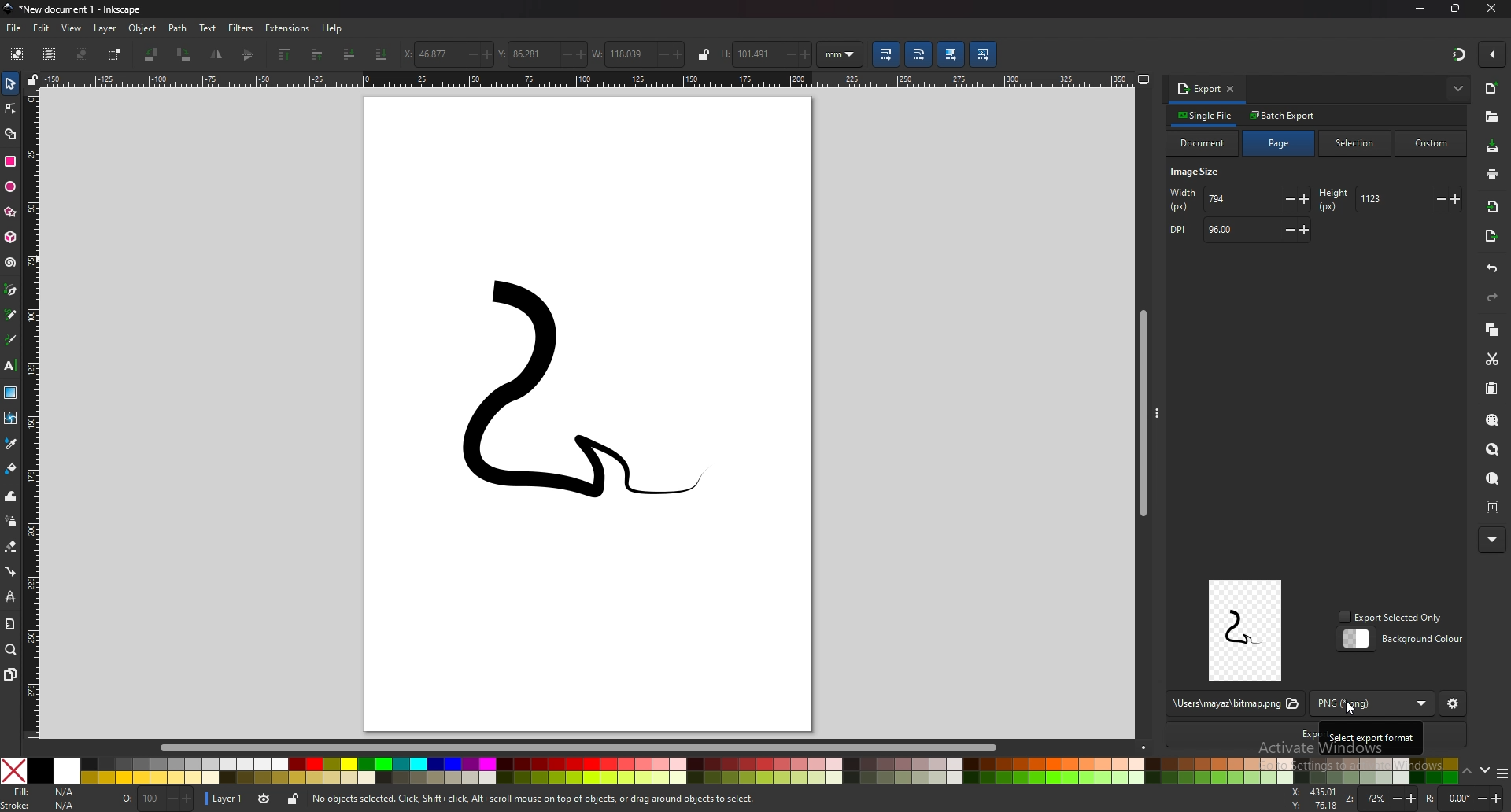 The height and width of the screenshot is (812, 1511). I want to click on format, so click(1376, 704).